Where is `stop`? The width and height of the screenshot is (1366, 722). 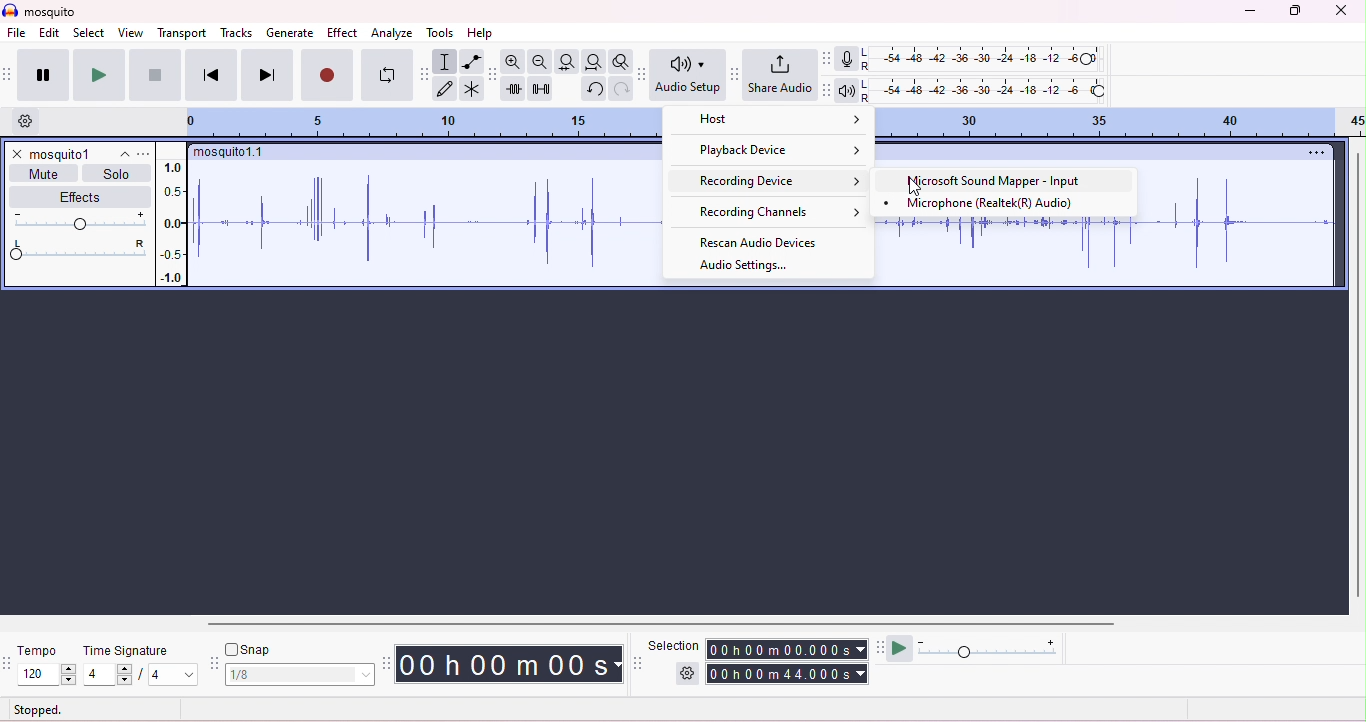 stop is located at coordinates (154, 75).